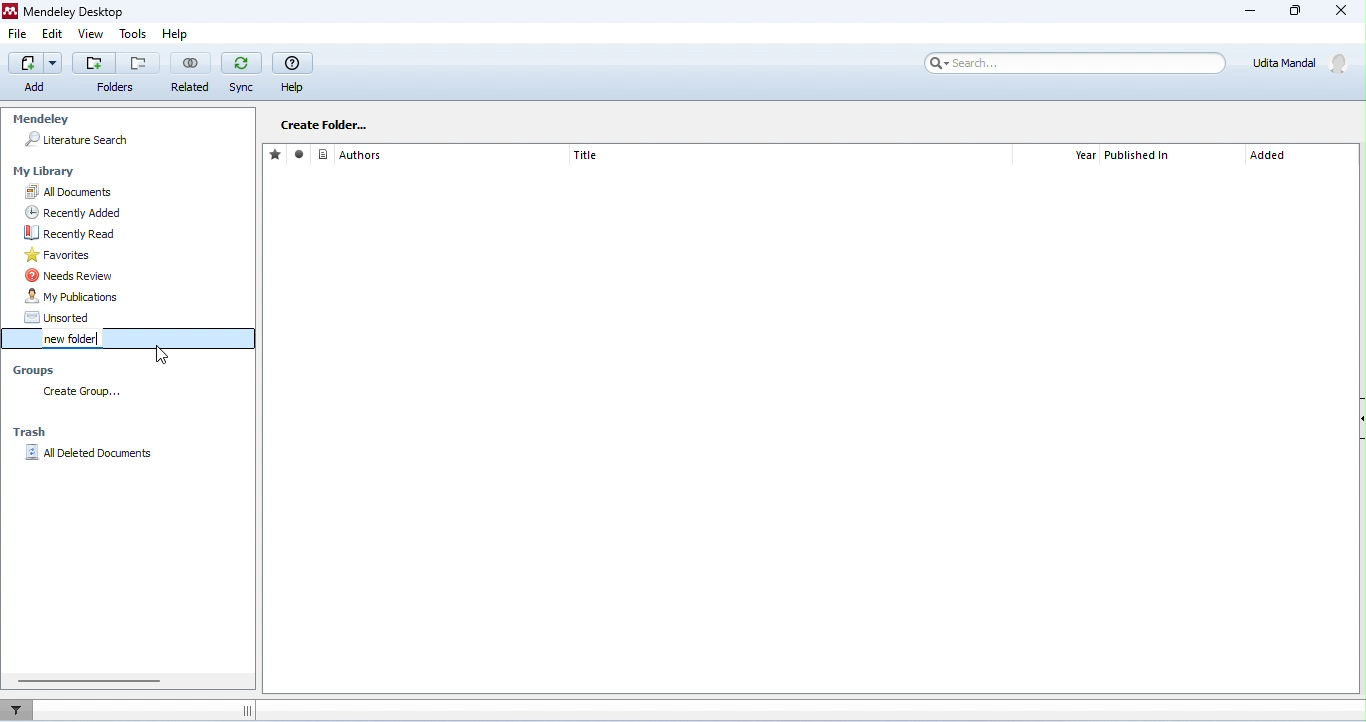 The height and width of the screenshot is (722, 1366). I want to click on literature search, so click(77, 140).